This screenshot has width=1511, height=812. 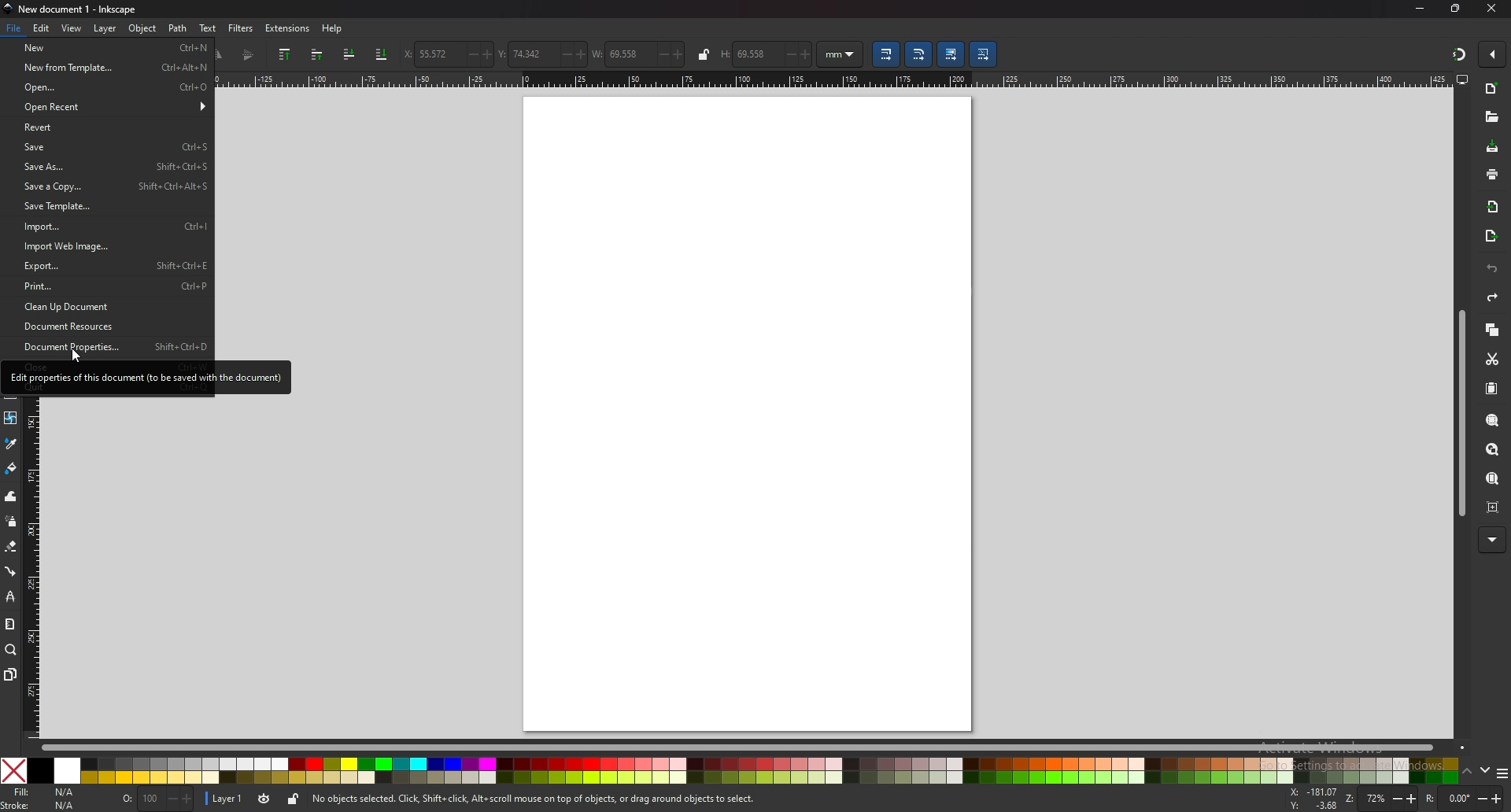 What do you see at coordinates (113, 87) in the screenshot?
I see `open` at bounding box center [113, 87].